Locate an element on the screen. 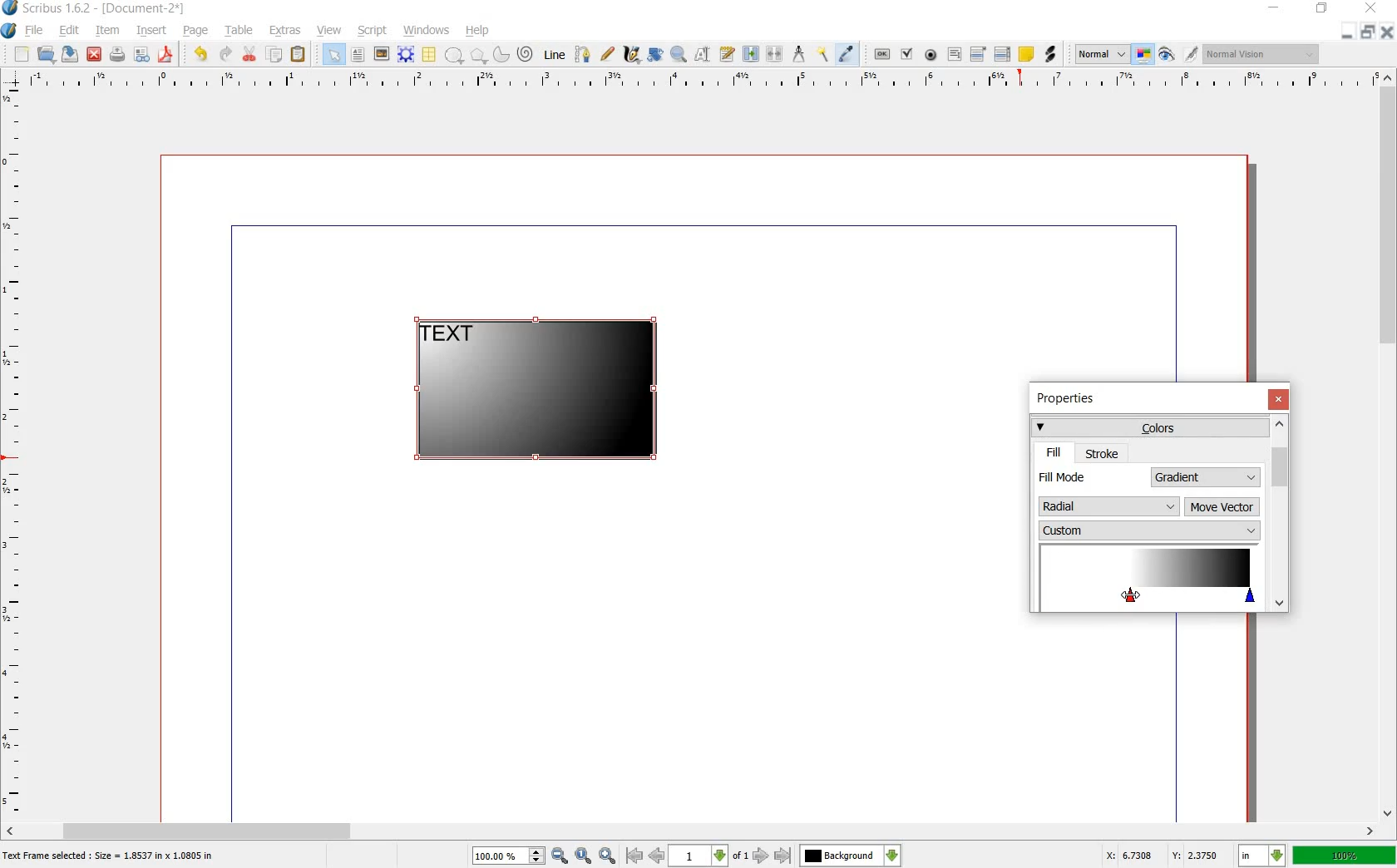 The height and width of the screenshot is (868, 1397). normal vision is located at coordinates (1264, 53).